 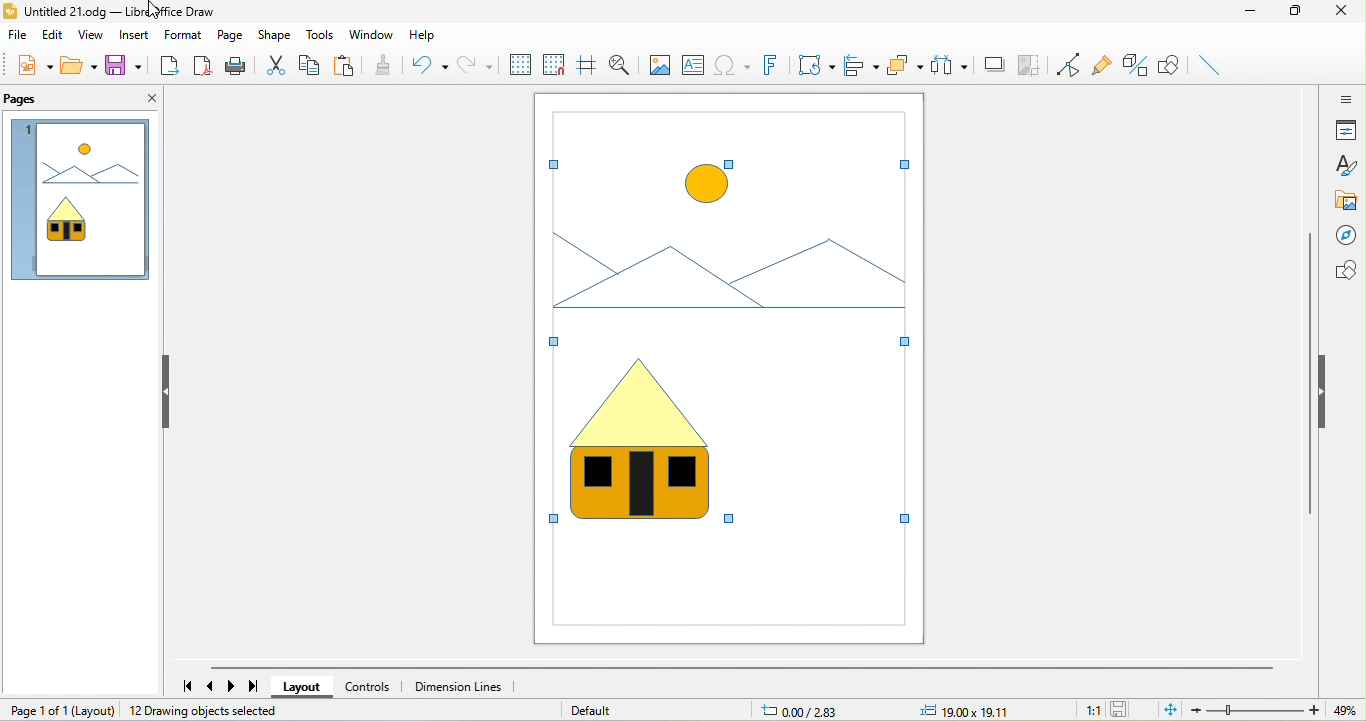 I want to click on previous, so click(x=213, y=686).